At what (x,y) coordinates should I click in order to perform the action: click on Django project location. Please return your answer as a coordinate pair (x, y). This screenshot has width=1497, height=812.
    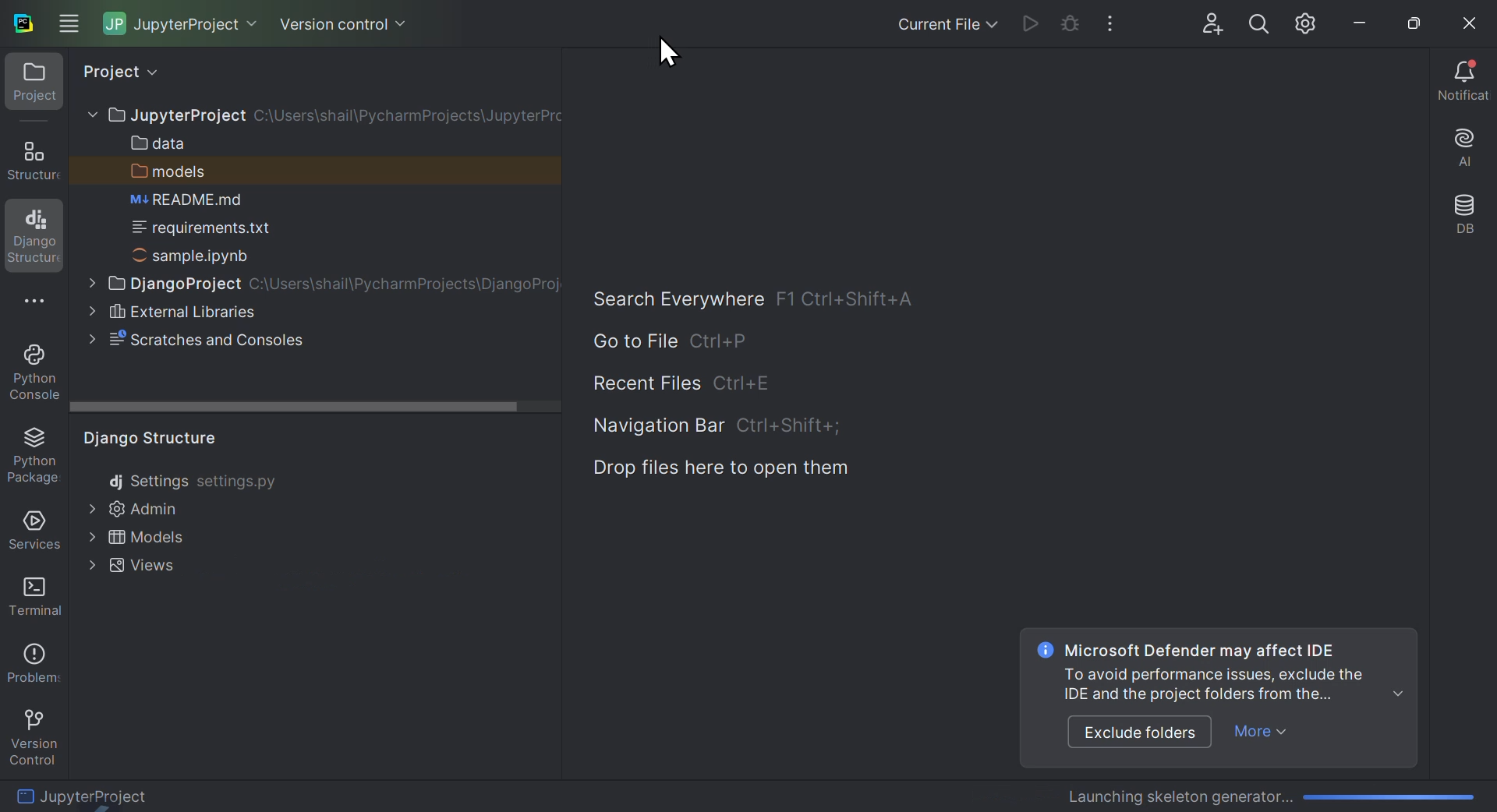
    Looking at the image, I should click on (320, 283).